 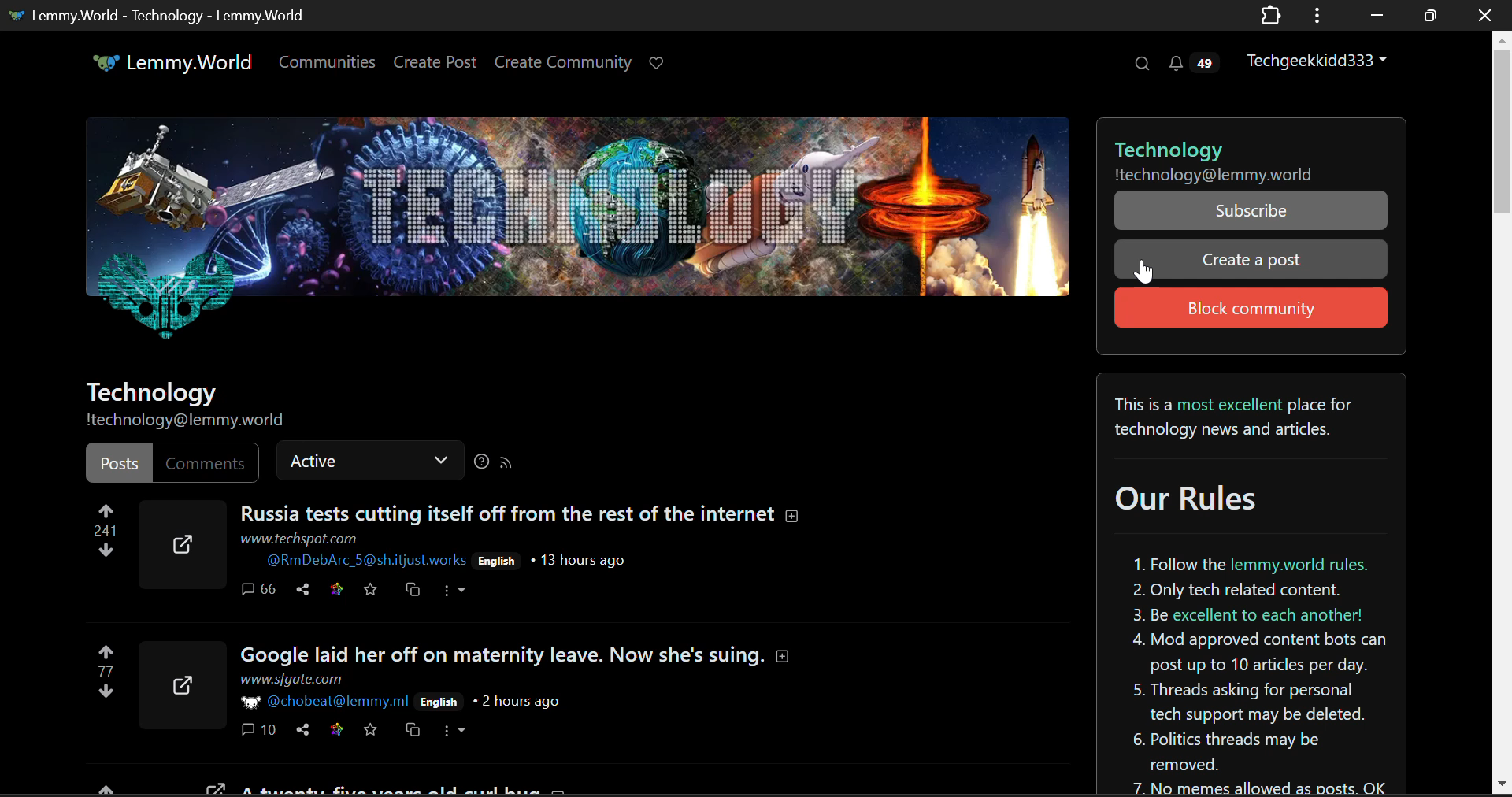 I want to click on Share, so click(x=301, y=591).